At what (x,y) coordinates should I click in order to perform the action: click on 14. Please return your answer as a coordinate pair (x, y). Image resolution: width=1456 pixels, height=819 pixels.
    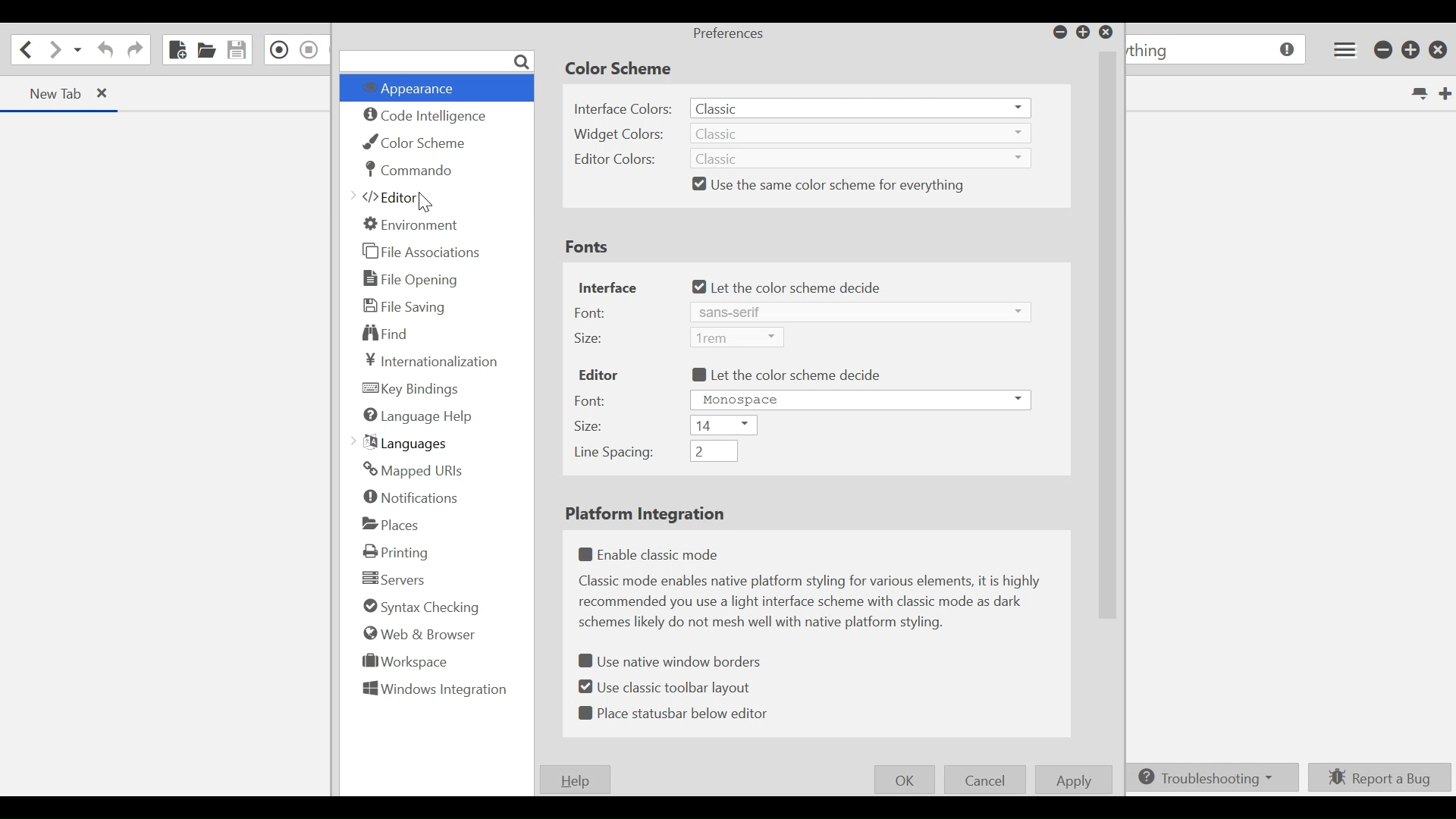
    Looking at the image, I should click on (723, 425).